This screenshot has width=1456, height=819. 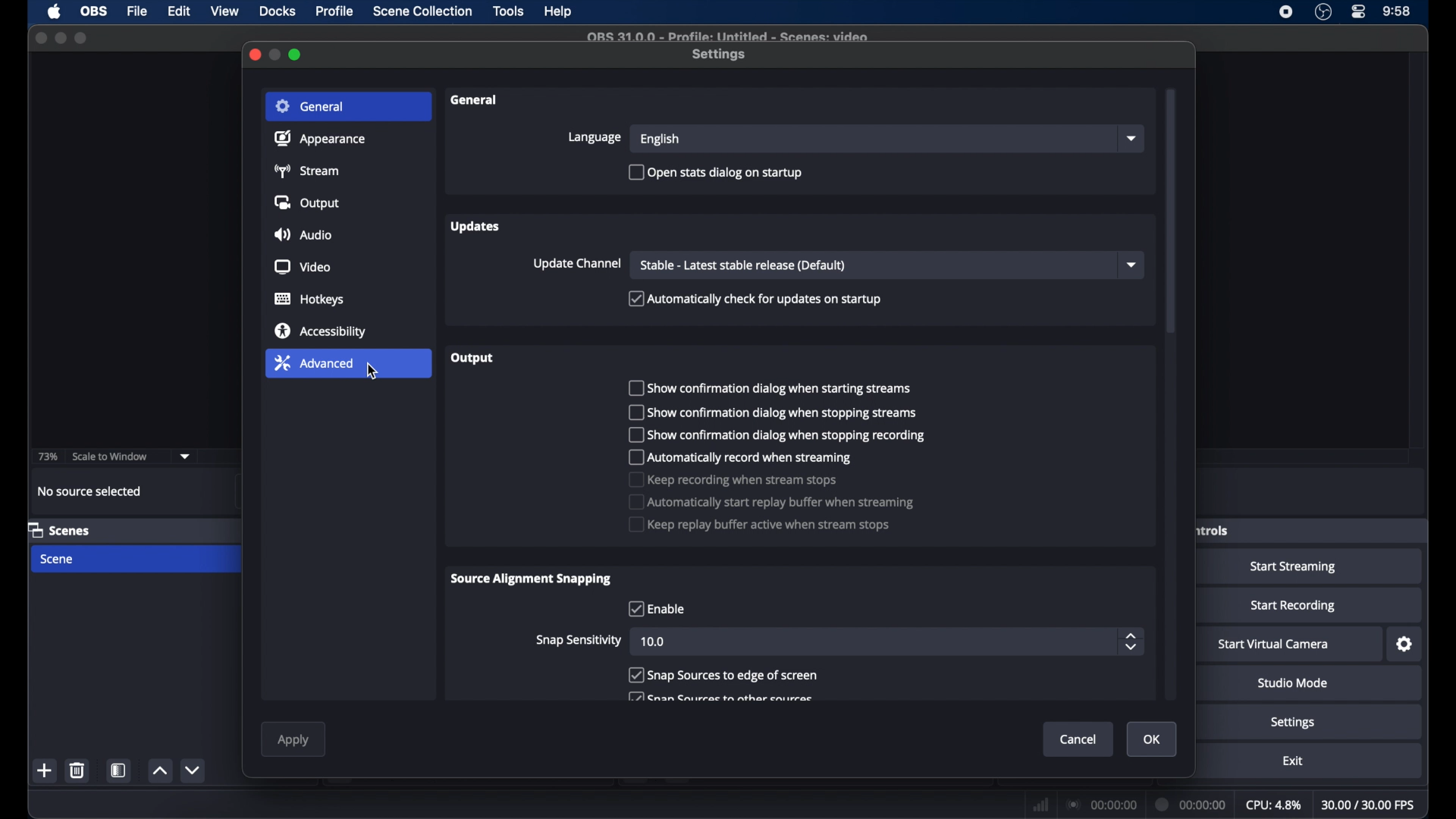 What do you see at coordinates (306, 202) in the screenshot?
I see `output` at bounding box center [306, 202].